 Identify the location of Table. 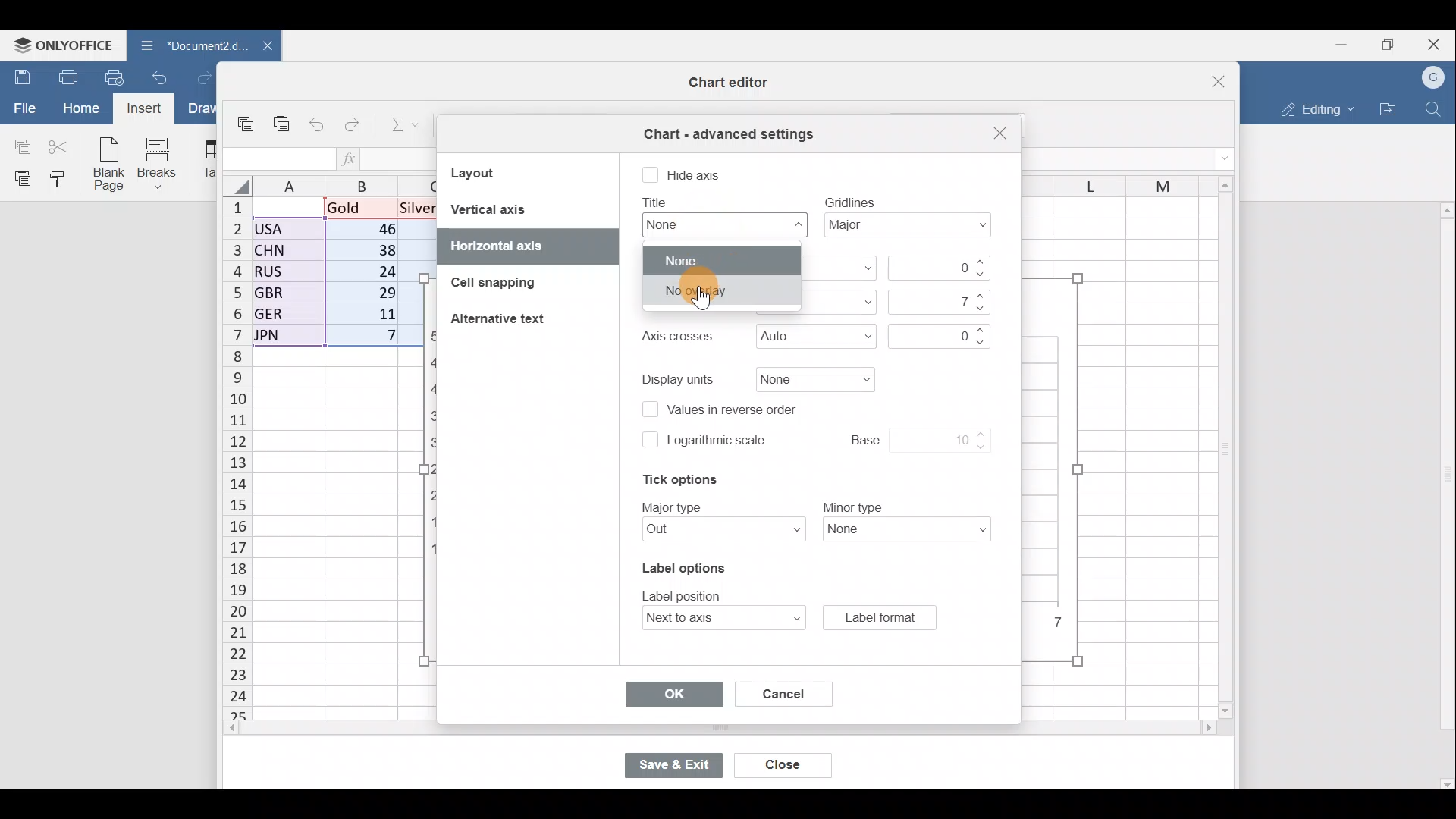
(209, 160).